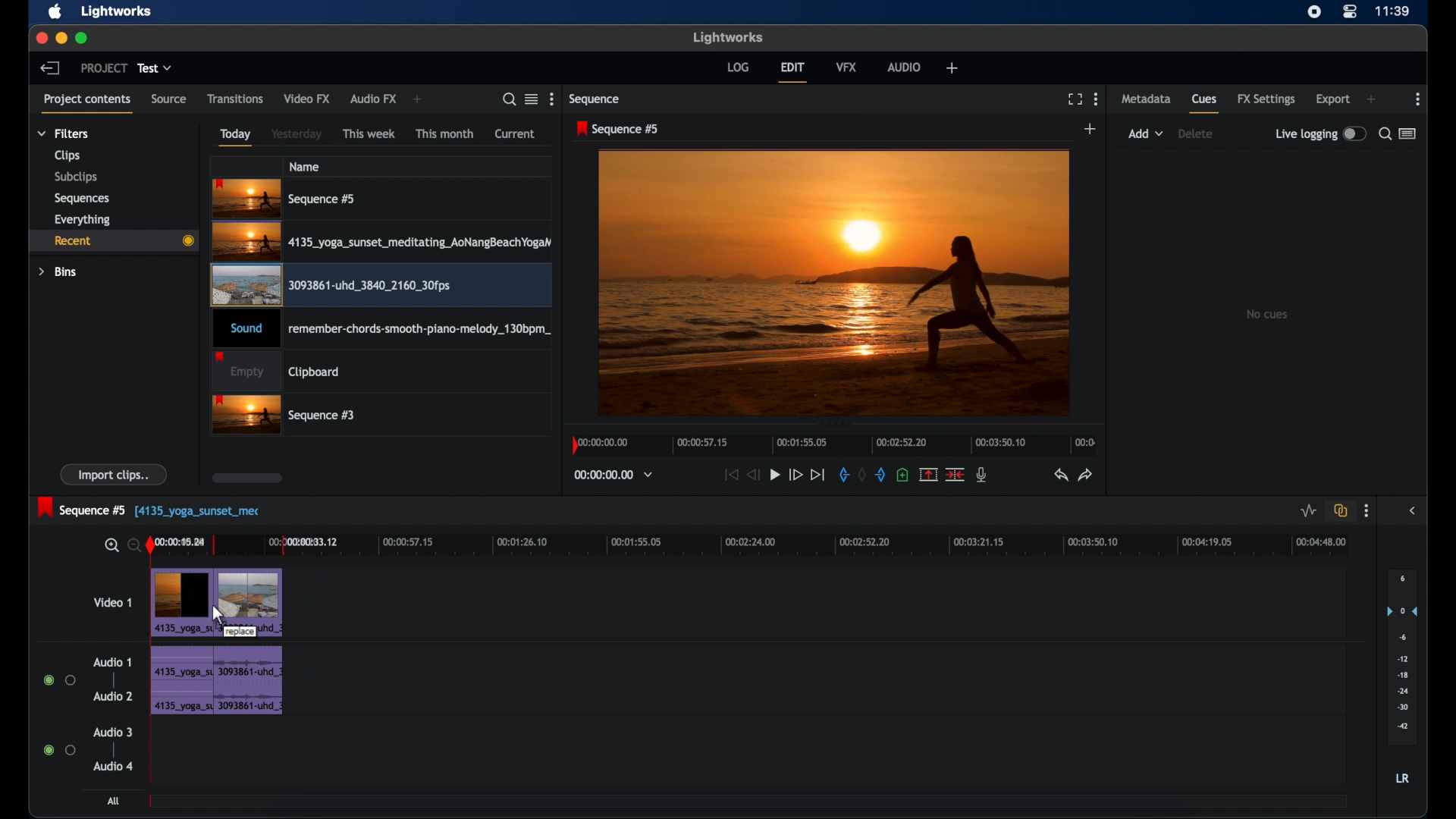 This screenshot has height=819, width=1456. I want to click on jump to end, so click(818, 475).